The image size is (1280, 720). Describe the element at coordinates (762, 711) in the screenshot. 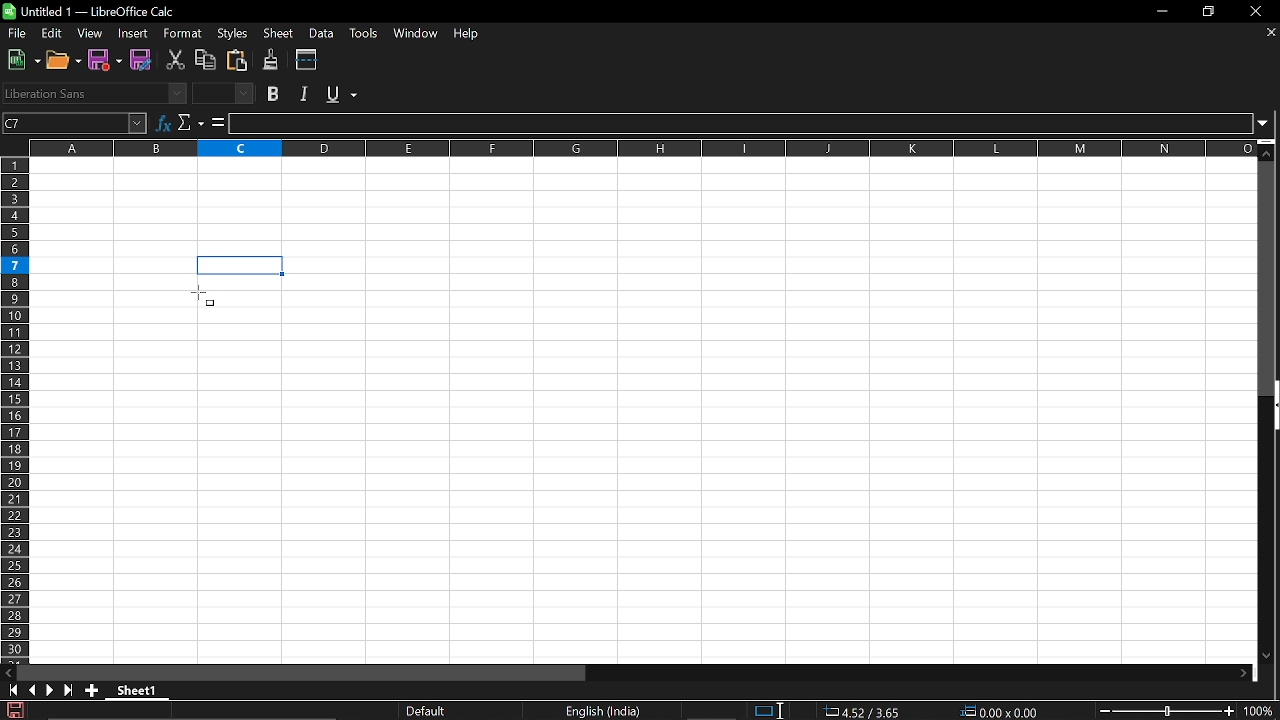

I see `Selection ` at that location.